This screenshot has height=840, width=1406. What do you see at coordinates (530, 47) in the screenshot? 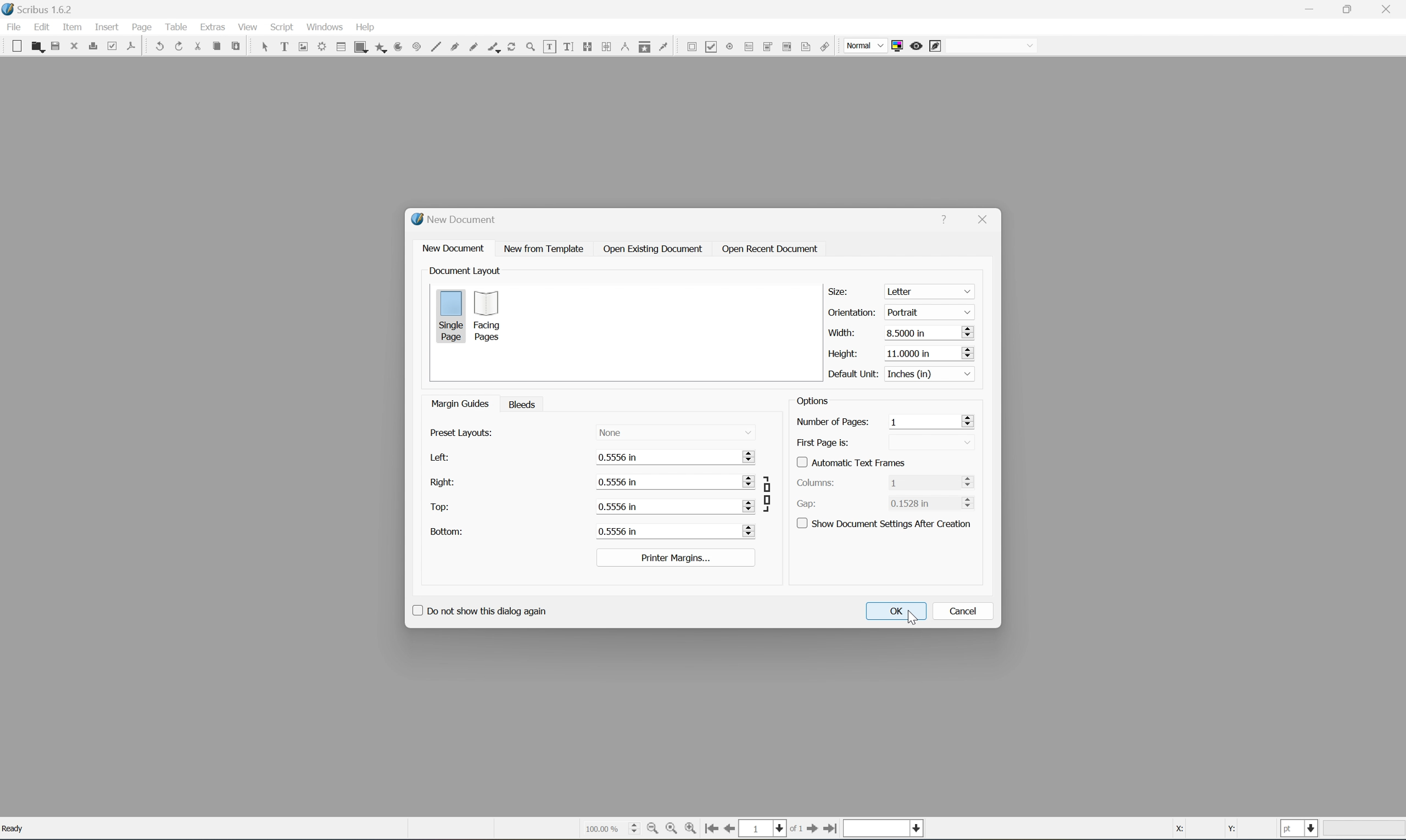
I see `zoom in or zoom out` at bounding box center [530, 47].